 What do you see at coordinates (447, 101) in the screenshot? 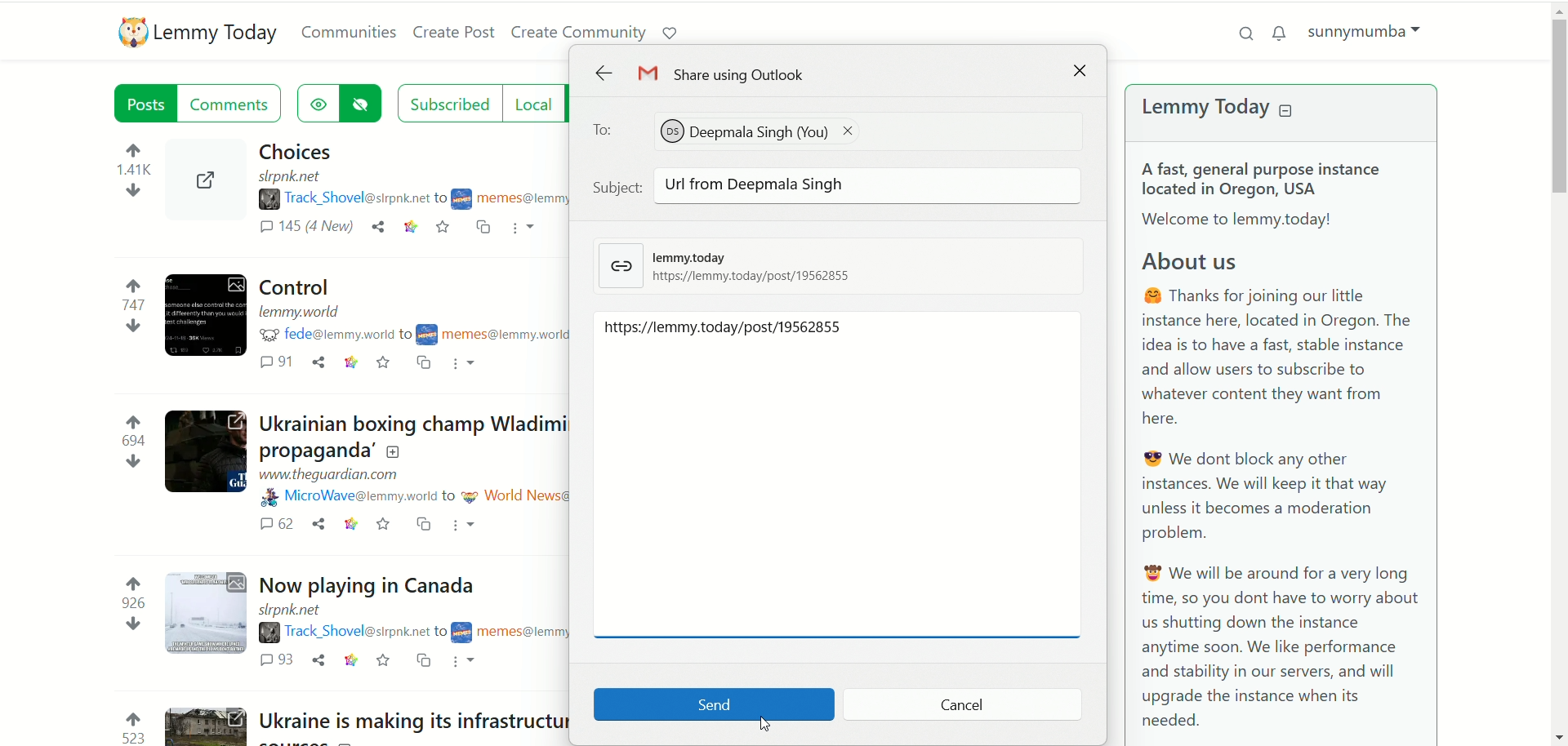
I see `subscribed` at bounding box center [447, 101].